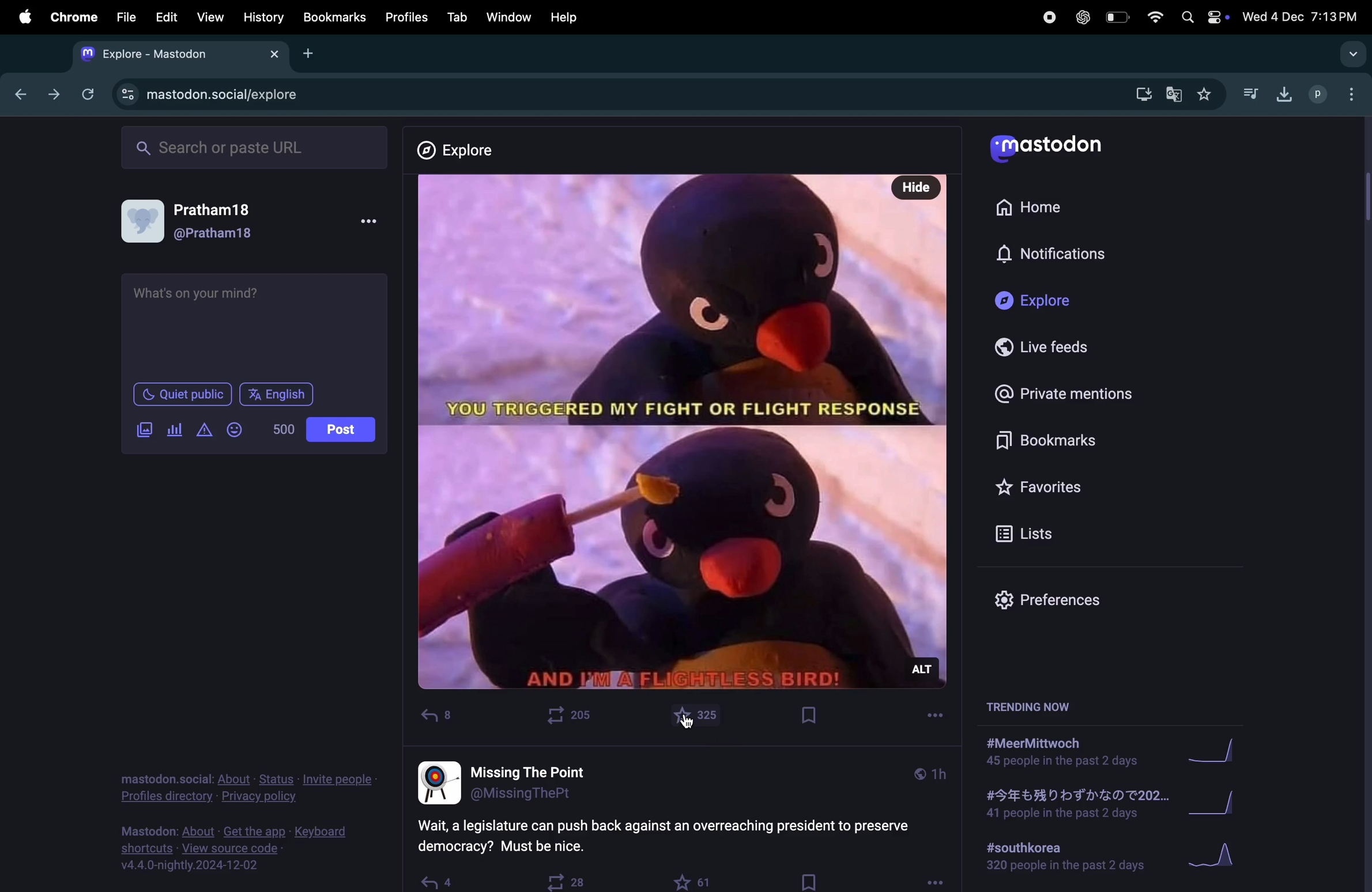 This screenshot has height=892, width=1372. What do you see at coordinates (206, 222) in the screenshot?
I see `user profile` at bounding box center [206, 222].